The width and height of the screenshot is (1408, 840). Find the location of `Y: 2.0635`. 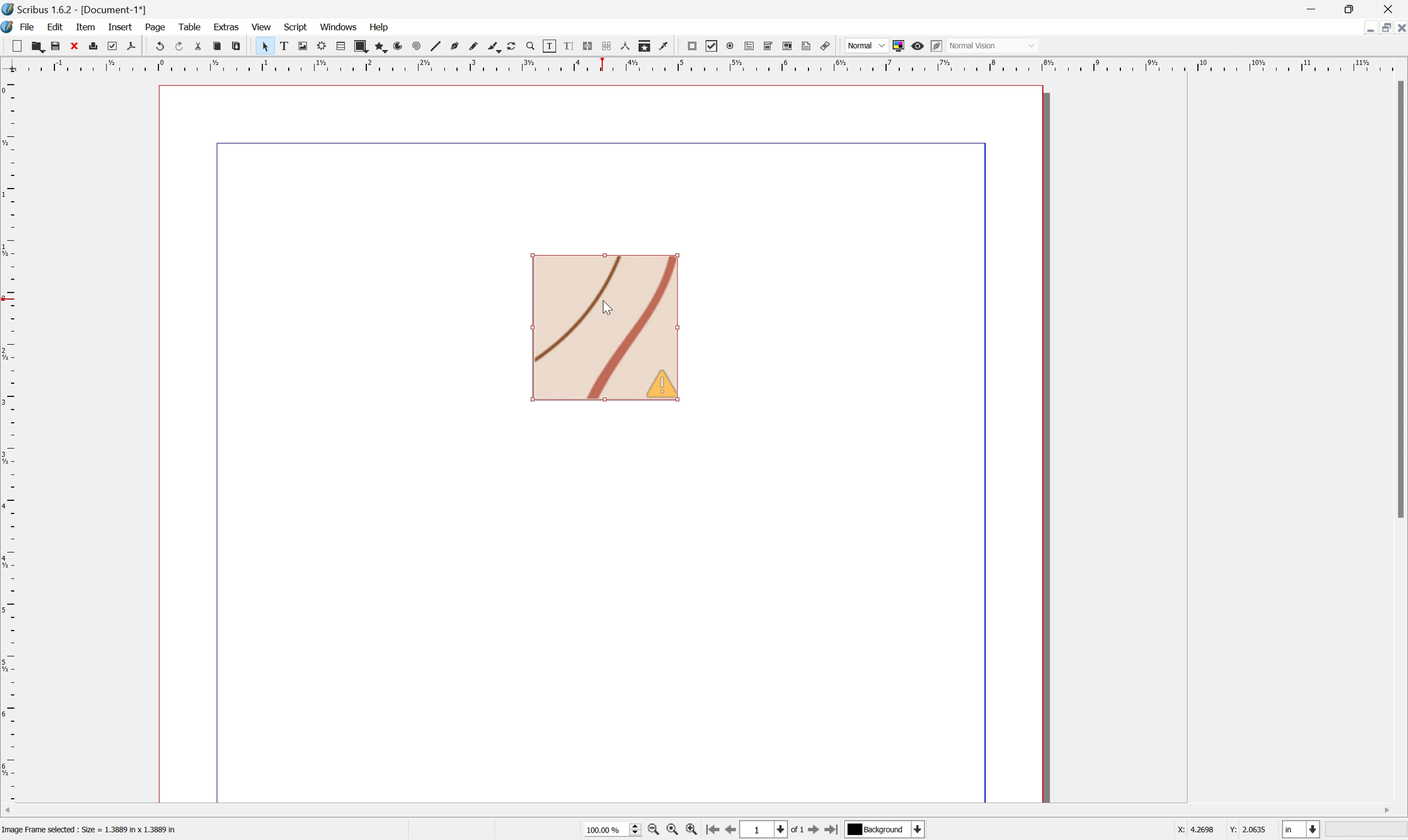

Y: 2.0635 is located at coordinates (1249, 830).